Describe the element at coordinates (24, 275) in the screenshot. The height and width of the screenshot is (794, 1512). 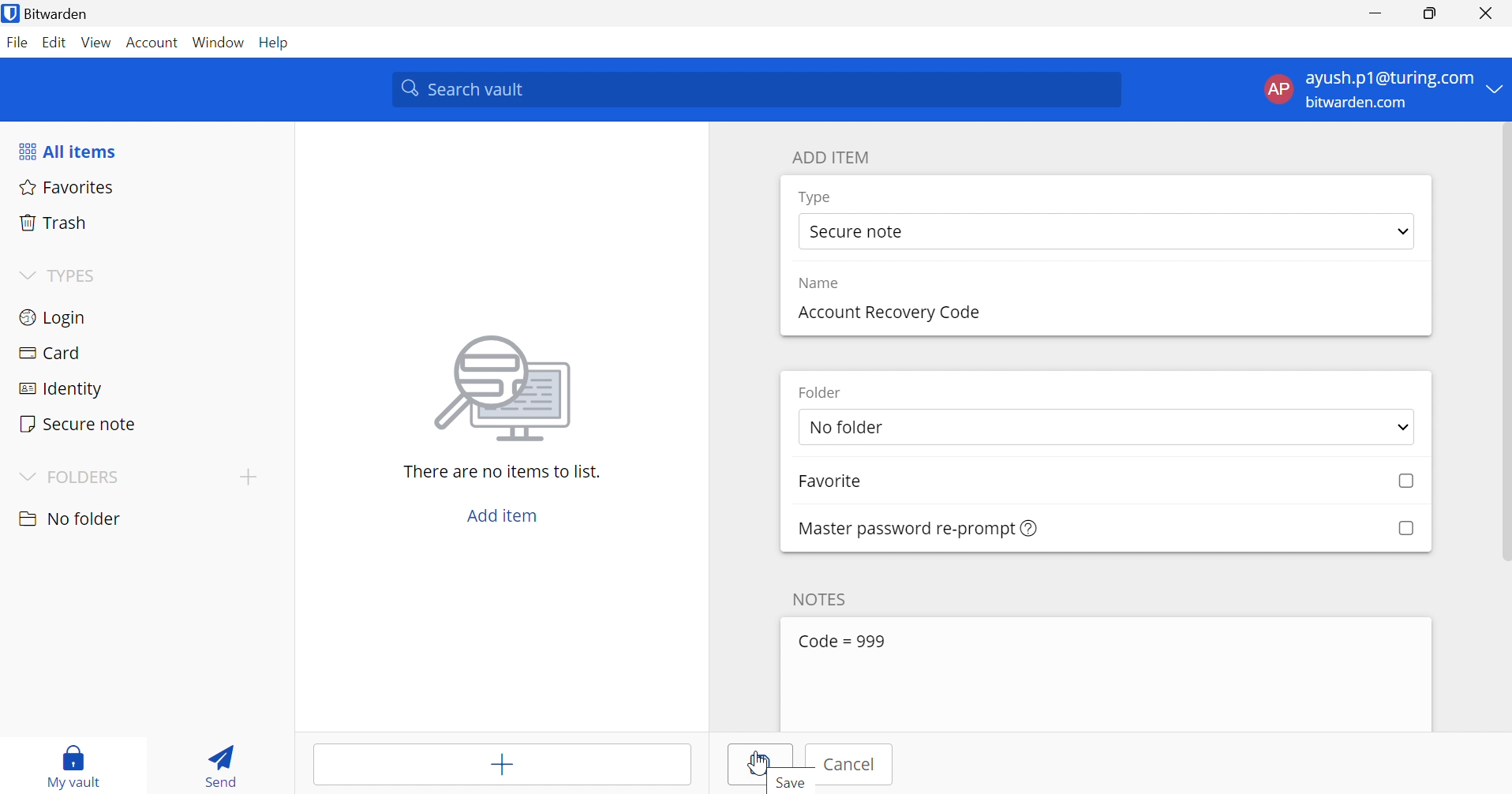
I see `Dropdown` at that location.